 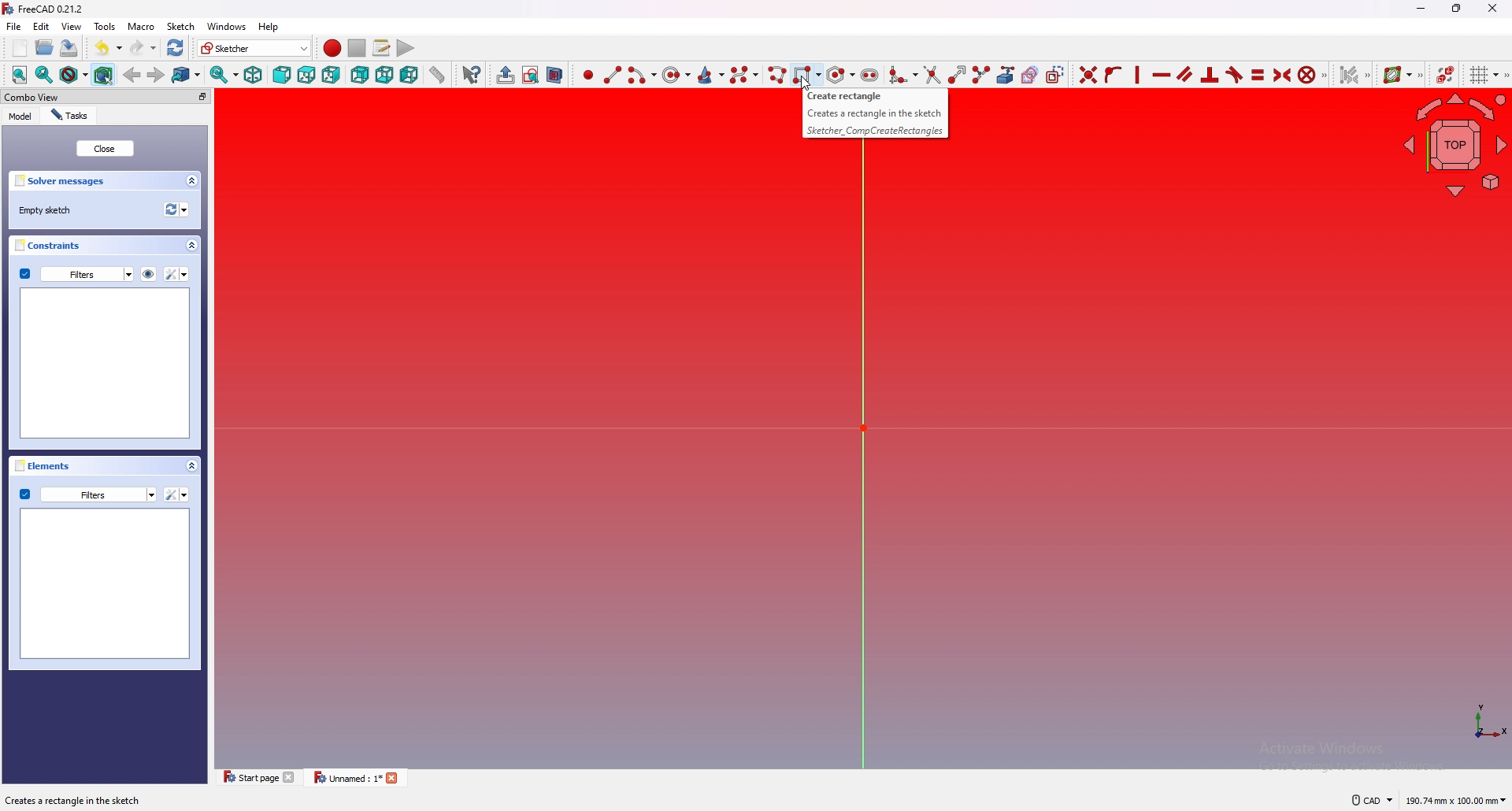 What do you see at coordinates (109, 47) in the screenshot?
I see `undo` at bounding box center [109, 47].